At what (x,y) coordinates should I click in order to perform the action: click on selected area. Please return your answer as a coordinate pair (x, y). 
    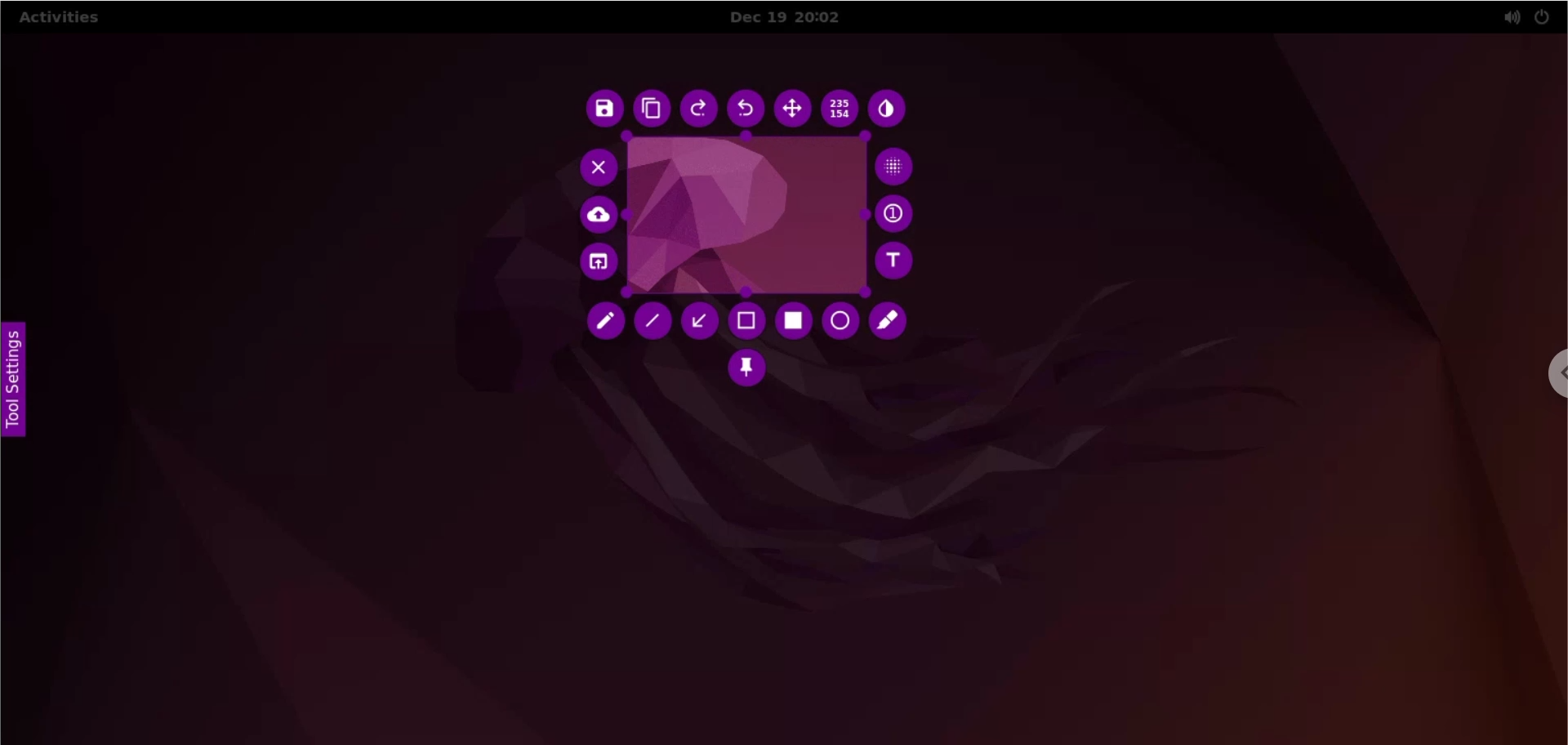
    Looking at the image, I should click on (749, 213).